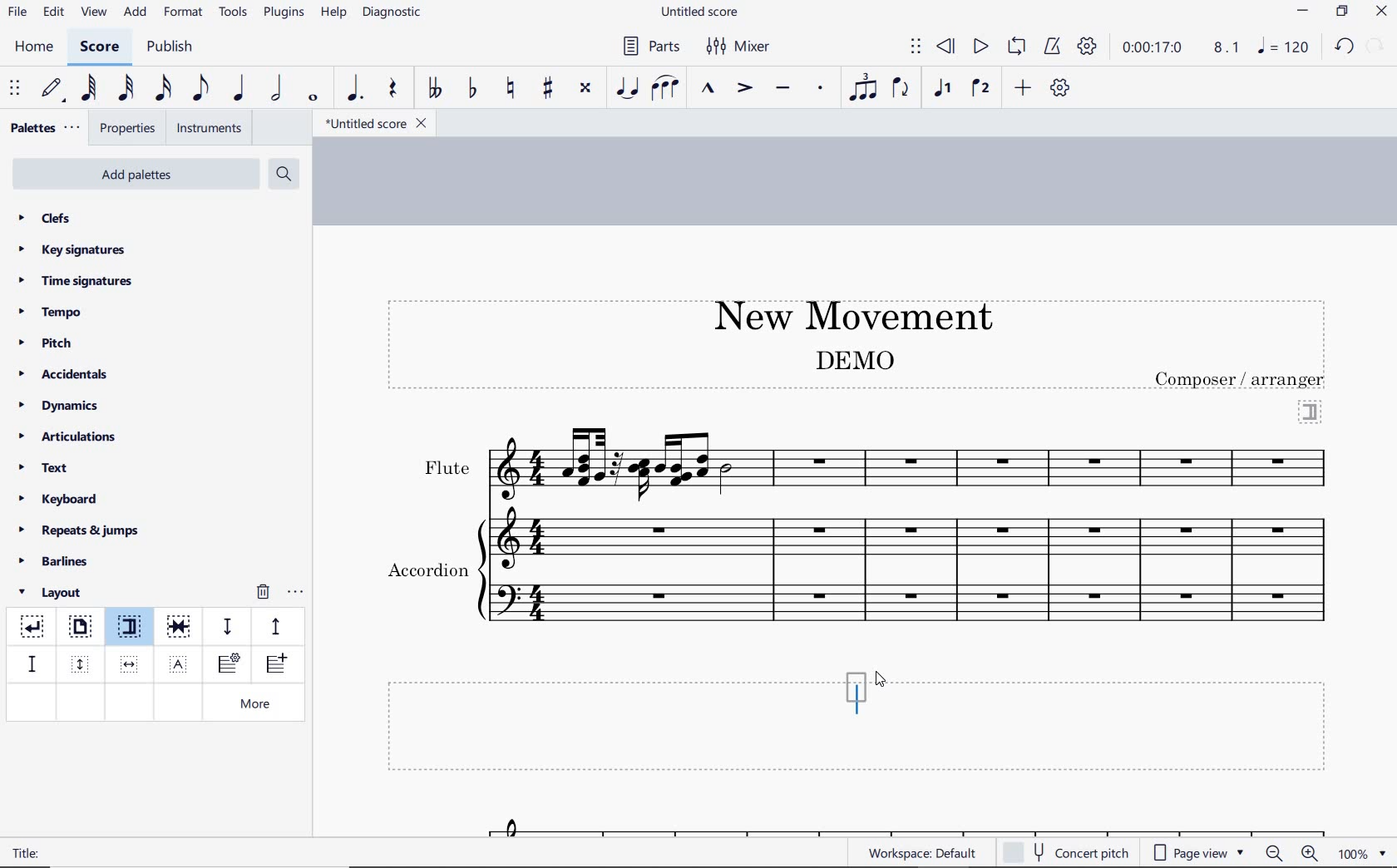  Describe the element at coordinates (947, 47) in the screenshot. I see `rewind` at that location.